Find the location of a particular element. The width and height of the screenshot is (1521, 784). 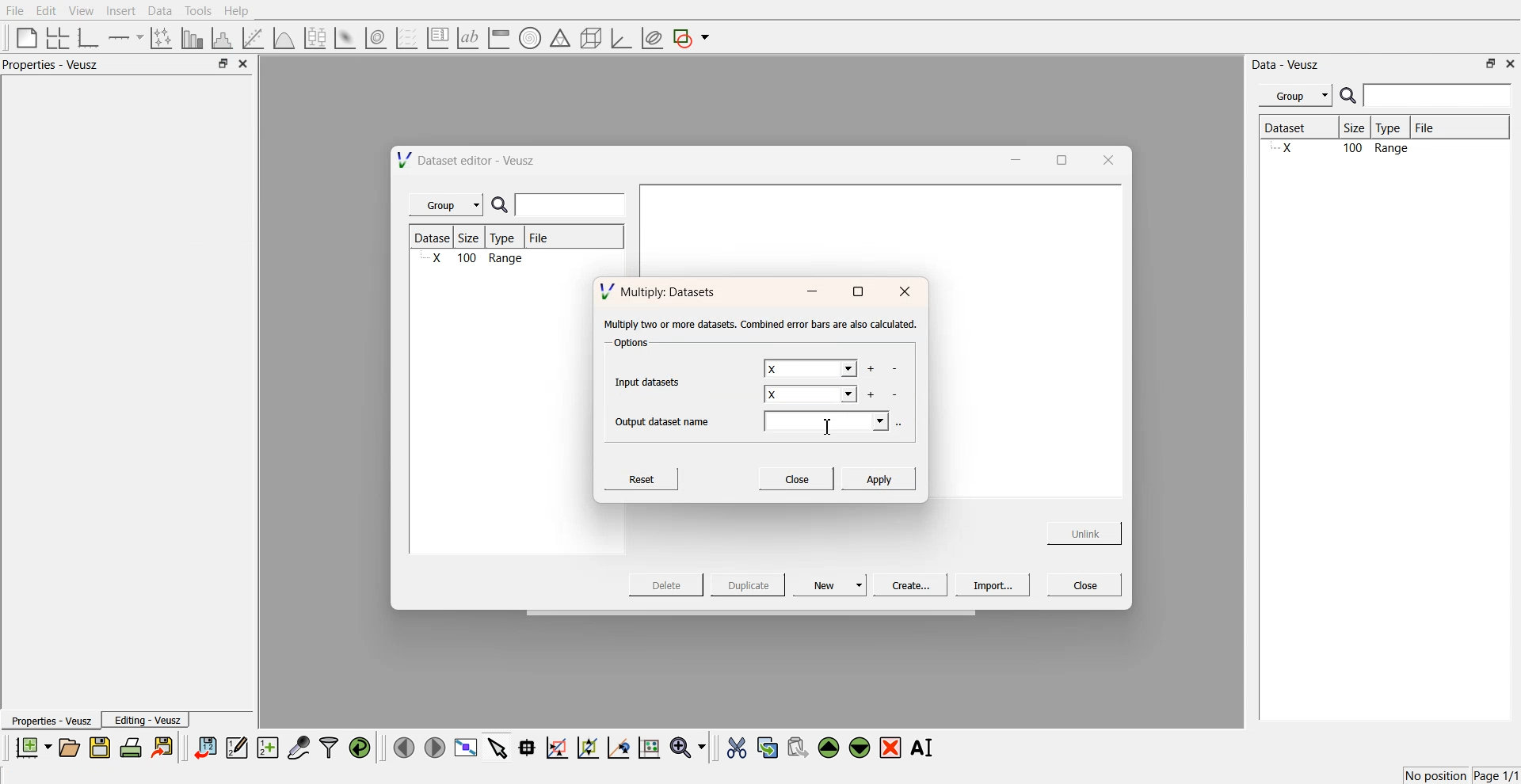

3d shapes is located at coordinates (588, 38).